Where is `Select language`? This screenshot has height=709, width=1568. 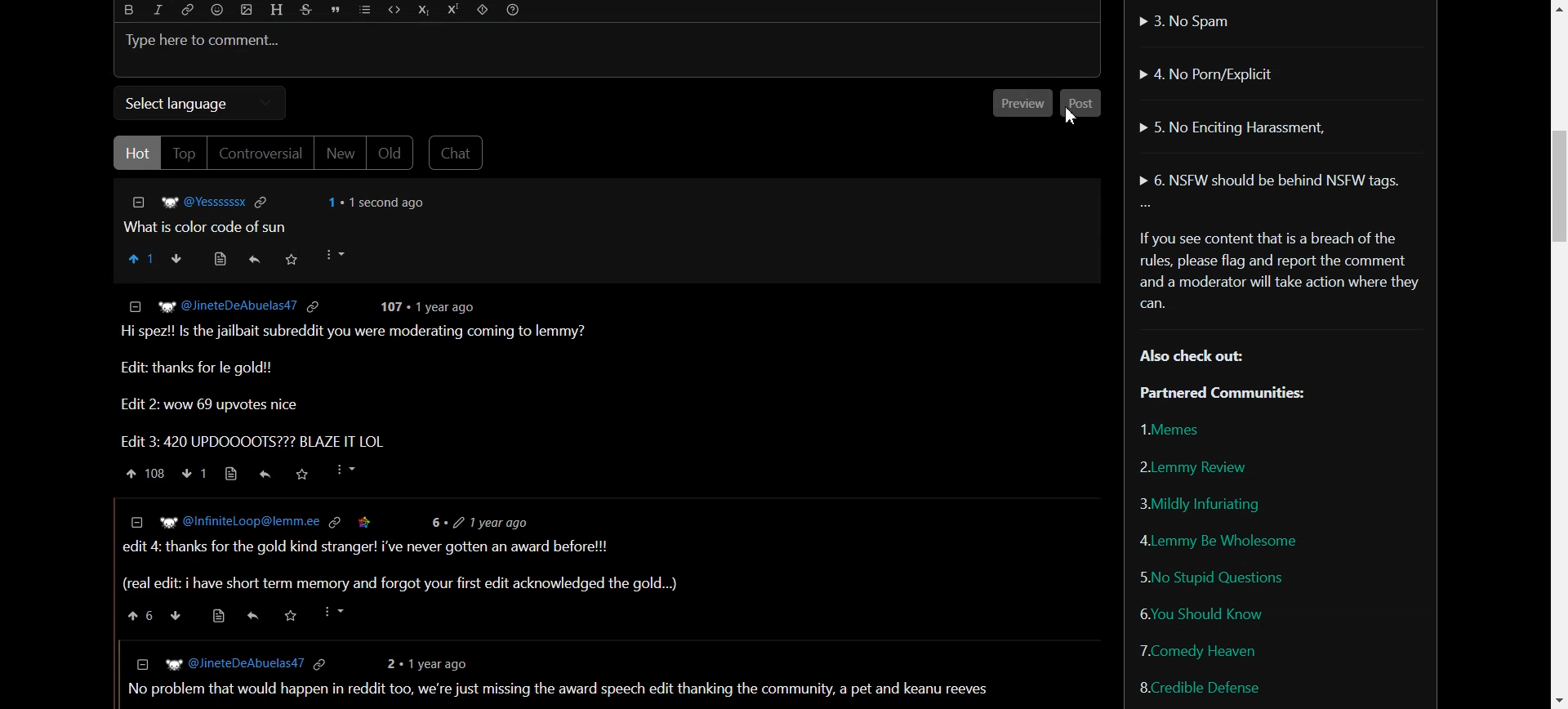
Select language is located at coordinates (201, 103).